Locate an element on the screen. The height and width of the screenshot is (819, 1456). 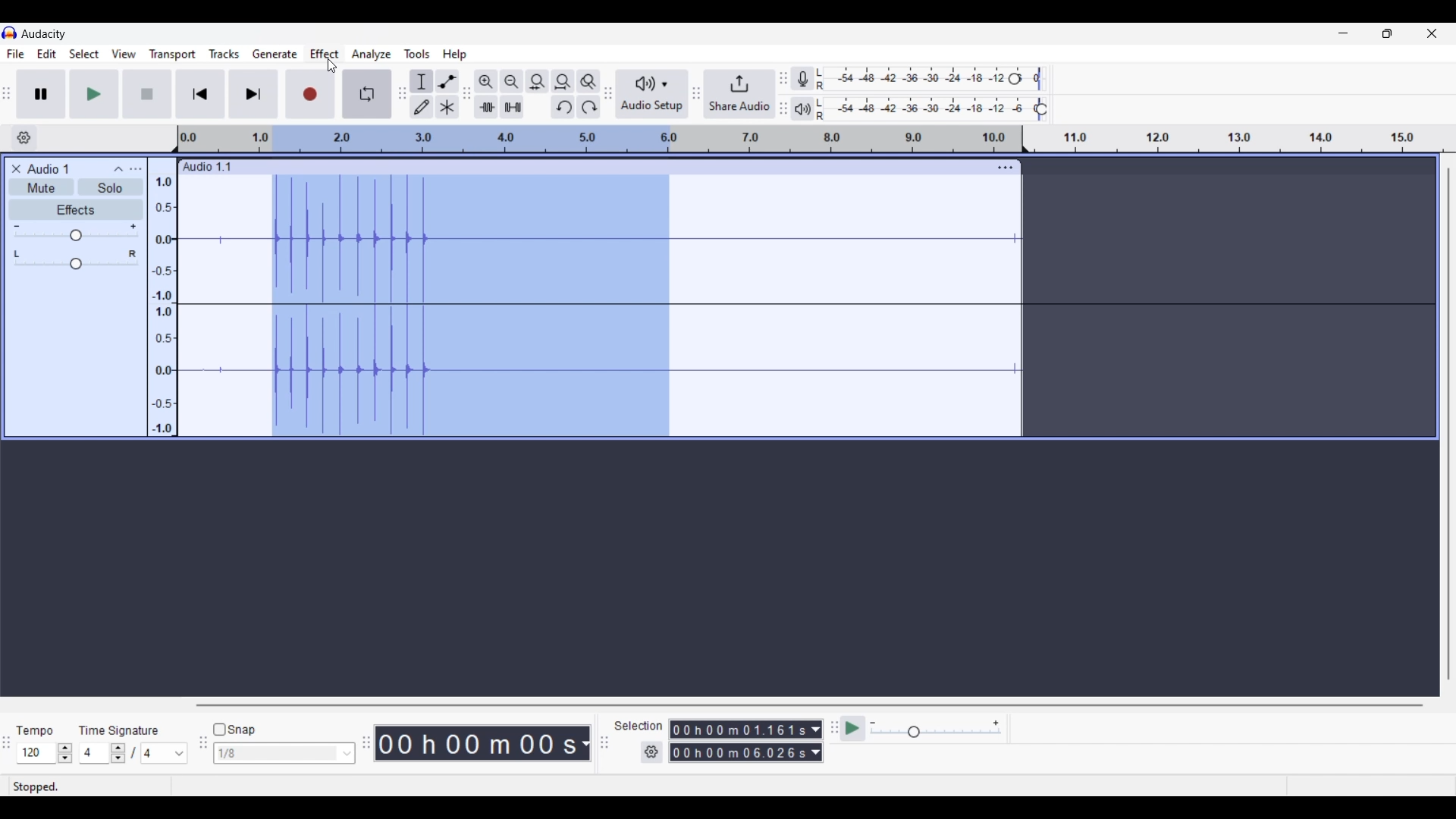
Time signature options is located at coordinates (165, 754).